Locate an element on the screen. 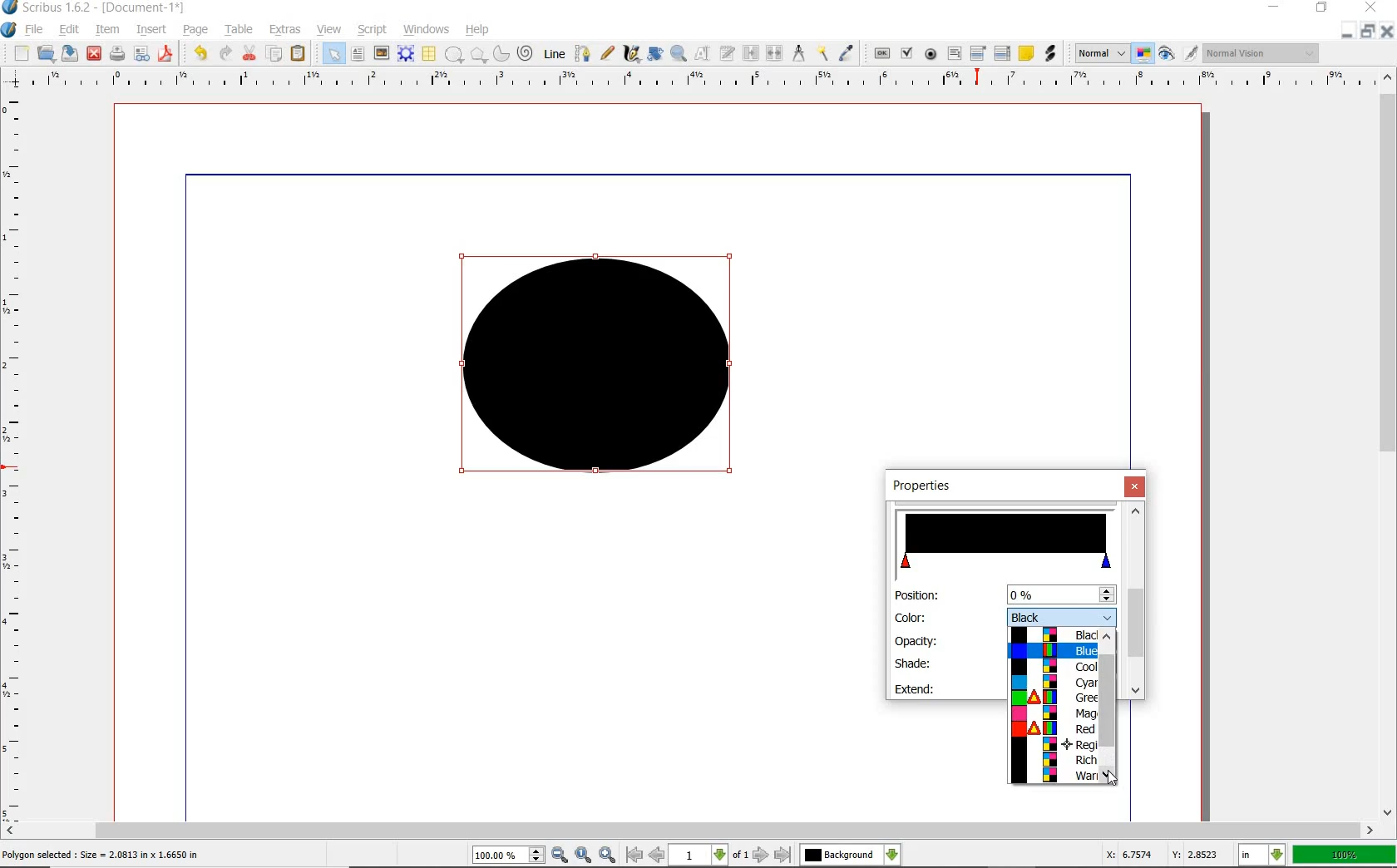  PDF CHECK BOX is located at coordinates (906, 52).